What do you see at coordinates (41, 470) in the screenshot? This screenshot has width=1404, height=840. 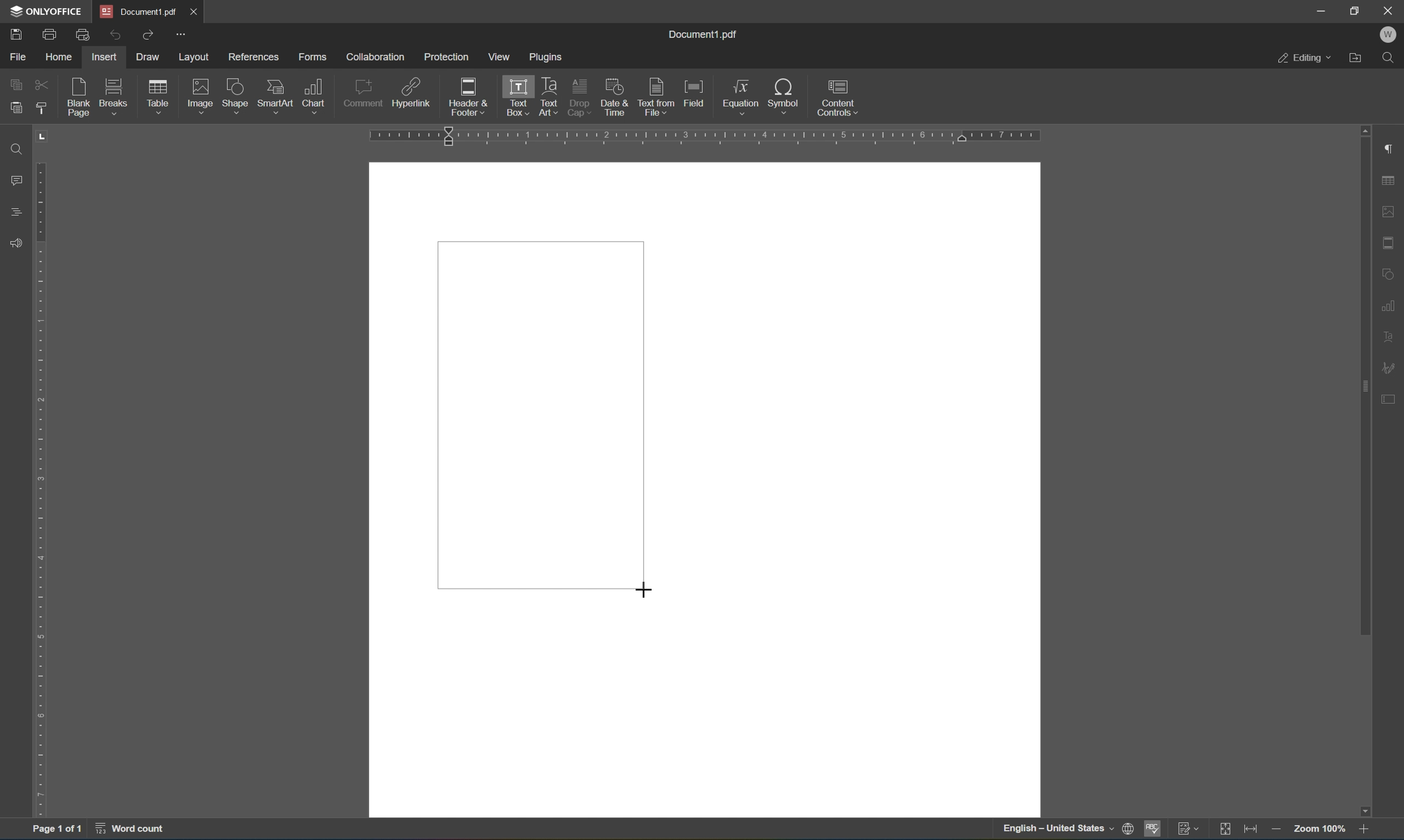 I see `ruler` at bounding box center [41, 470].